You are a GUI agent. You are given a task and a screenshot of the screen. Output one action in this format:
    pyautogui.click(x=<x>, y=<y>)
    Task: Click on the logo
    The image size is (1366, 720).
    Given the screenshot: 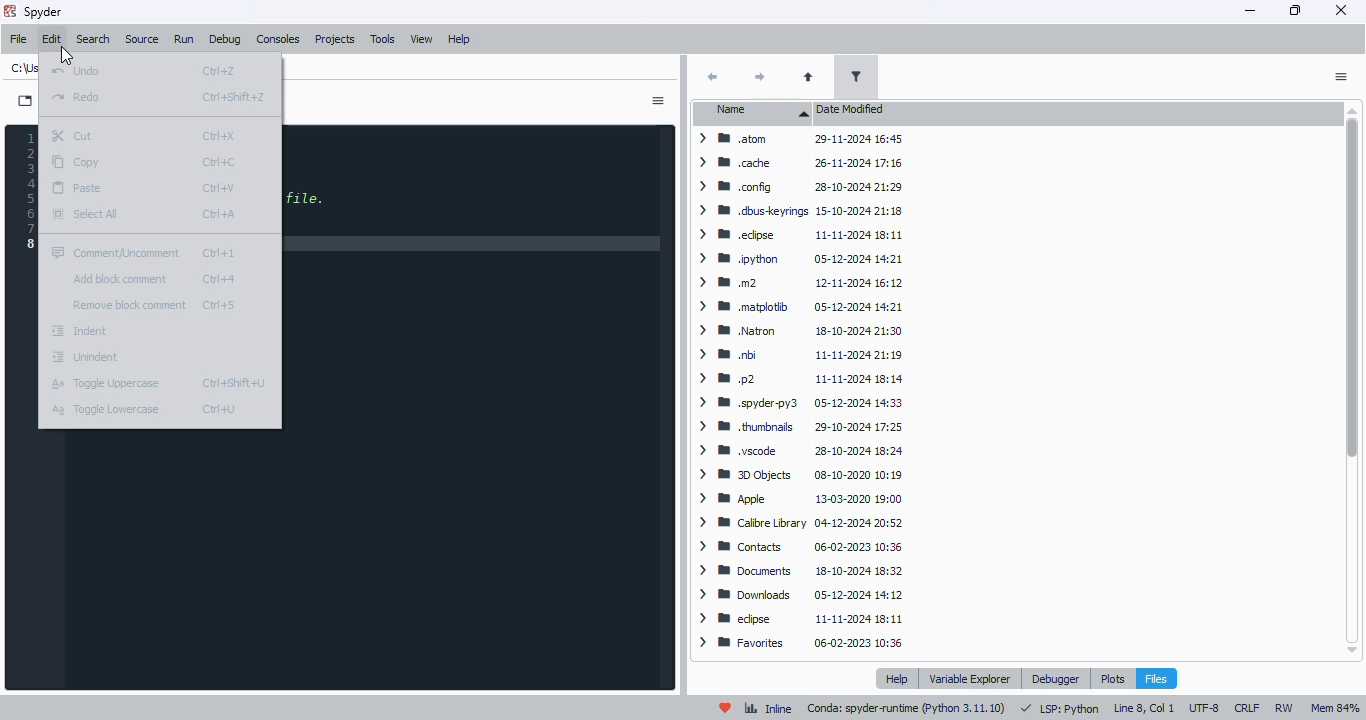 What is the action you would take?
    pyautogui.click(x=10, y=10)
    